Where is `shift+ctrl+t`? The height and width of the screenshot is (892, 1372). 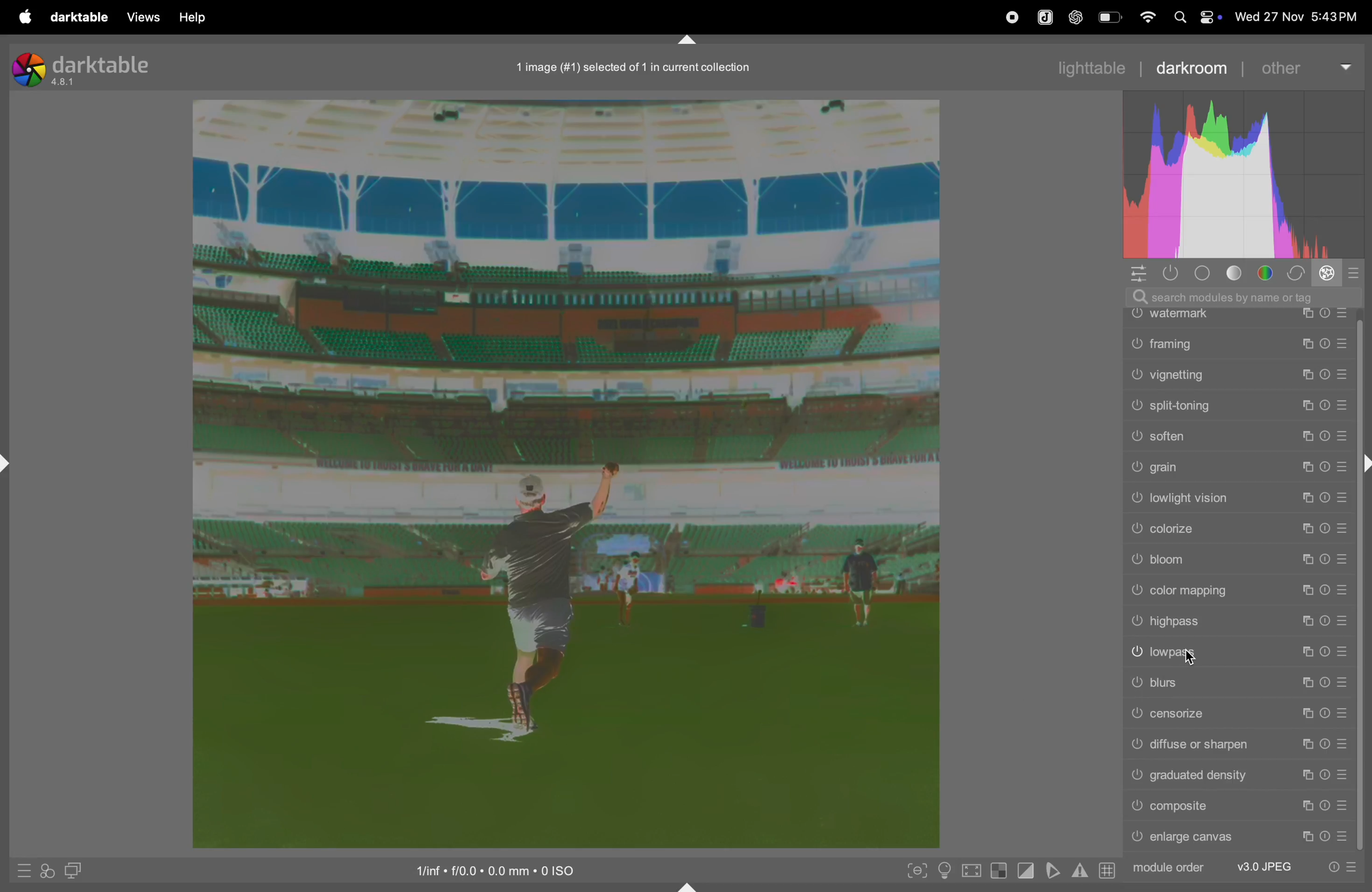
shift+ctrl+t is located at coordinates (688, 40).